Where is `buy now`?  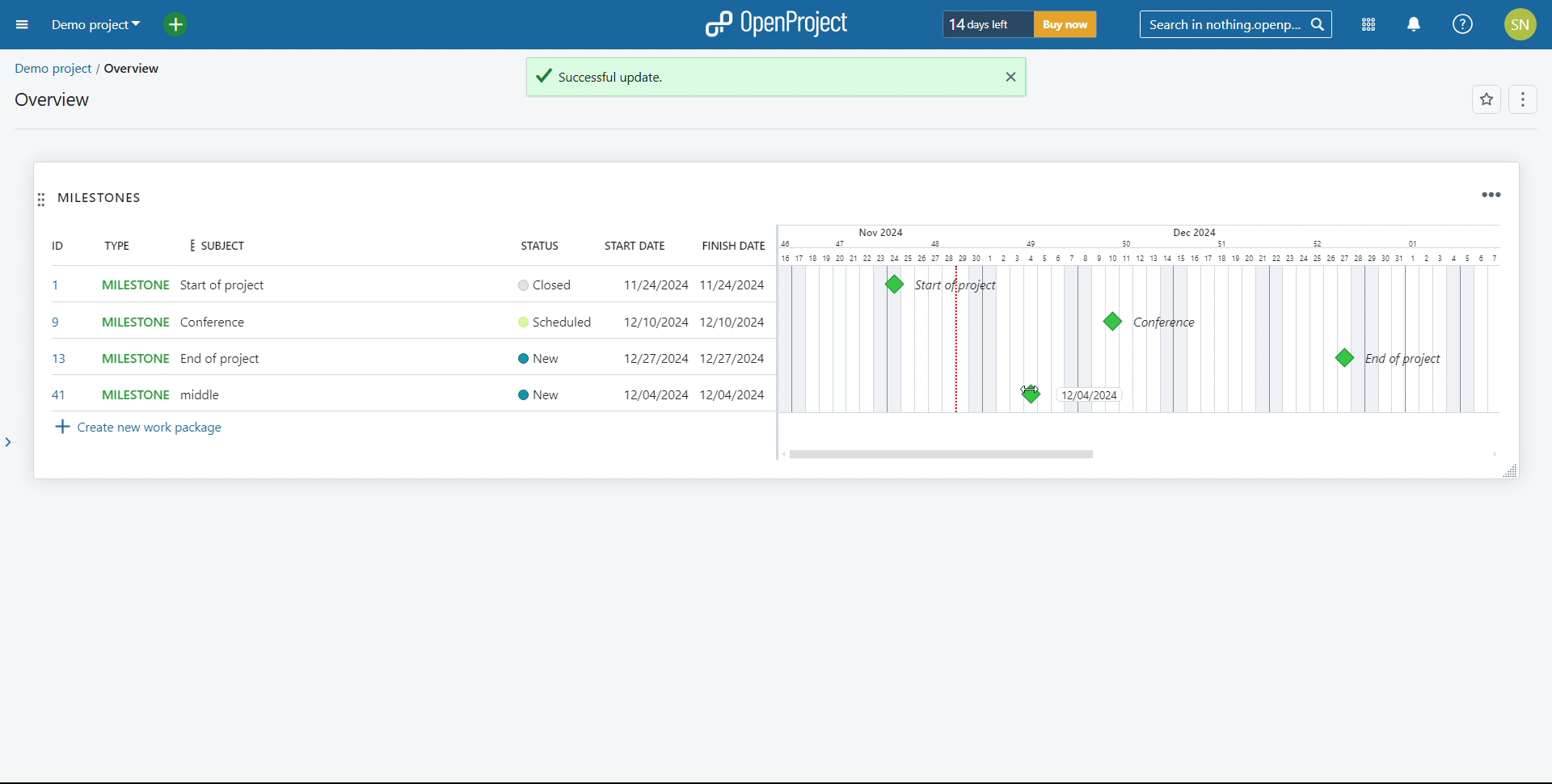
buy now is located at coordinates (1065, 24).